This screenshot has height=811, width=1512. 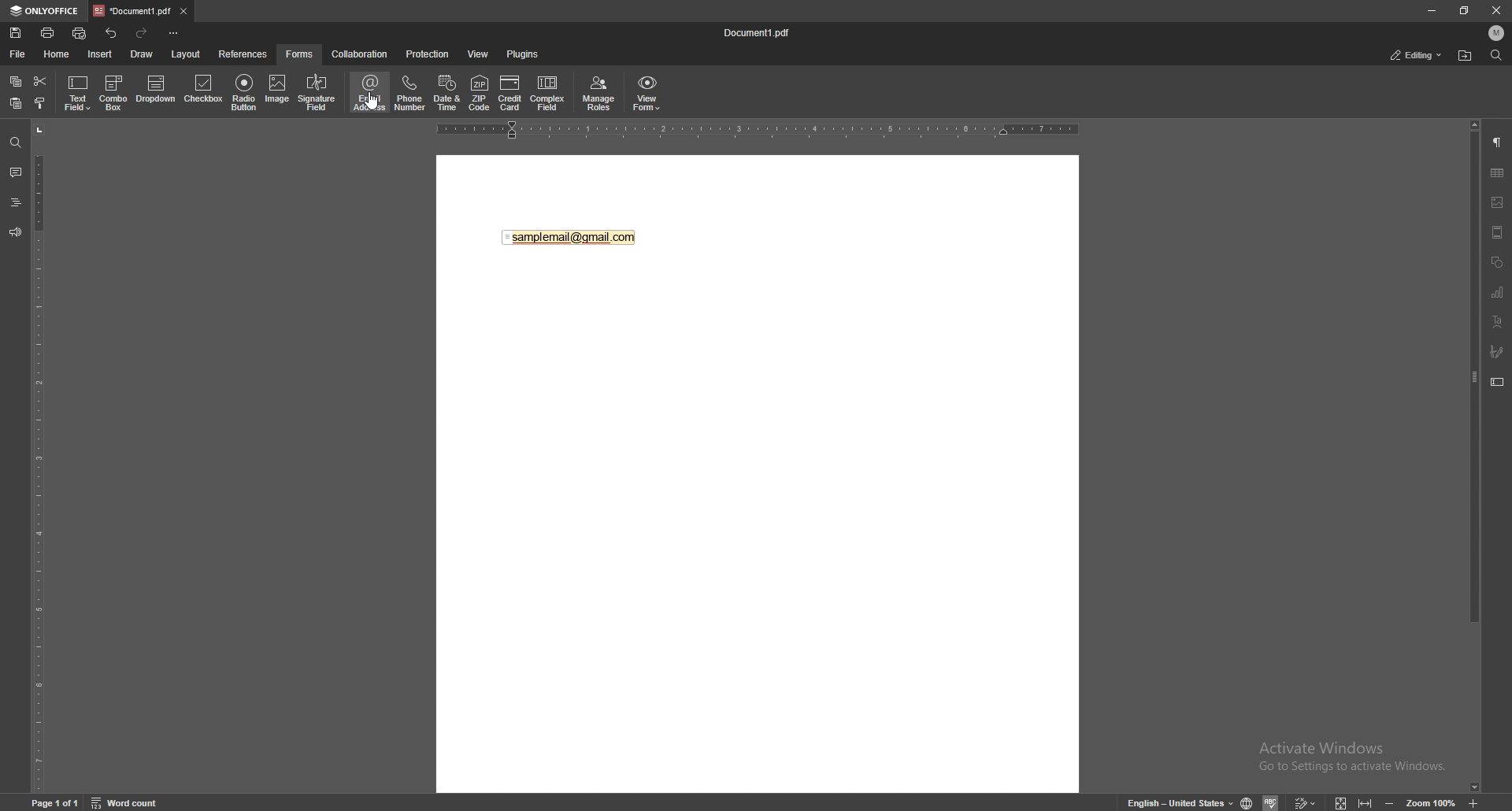 I want to click on date and time, so click(x=448, y=92).